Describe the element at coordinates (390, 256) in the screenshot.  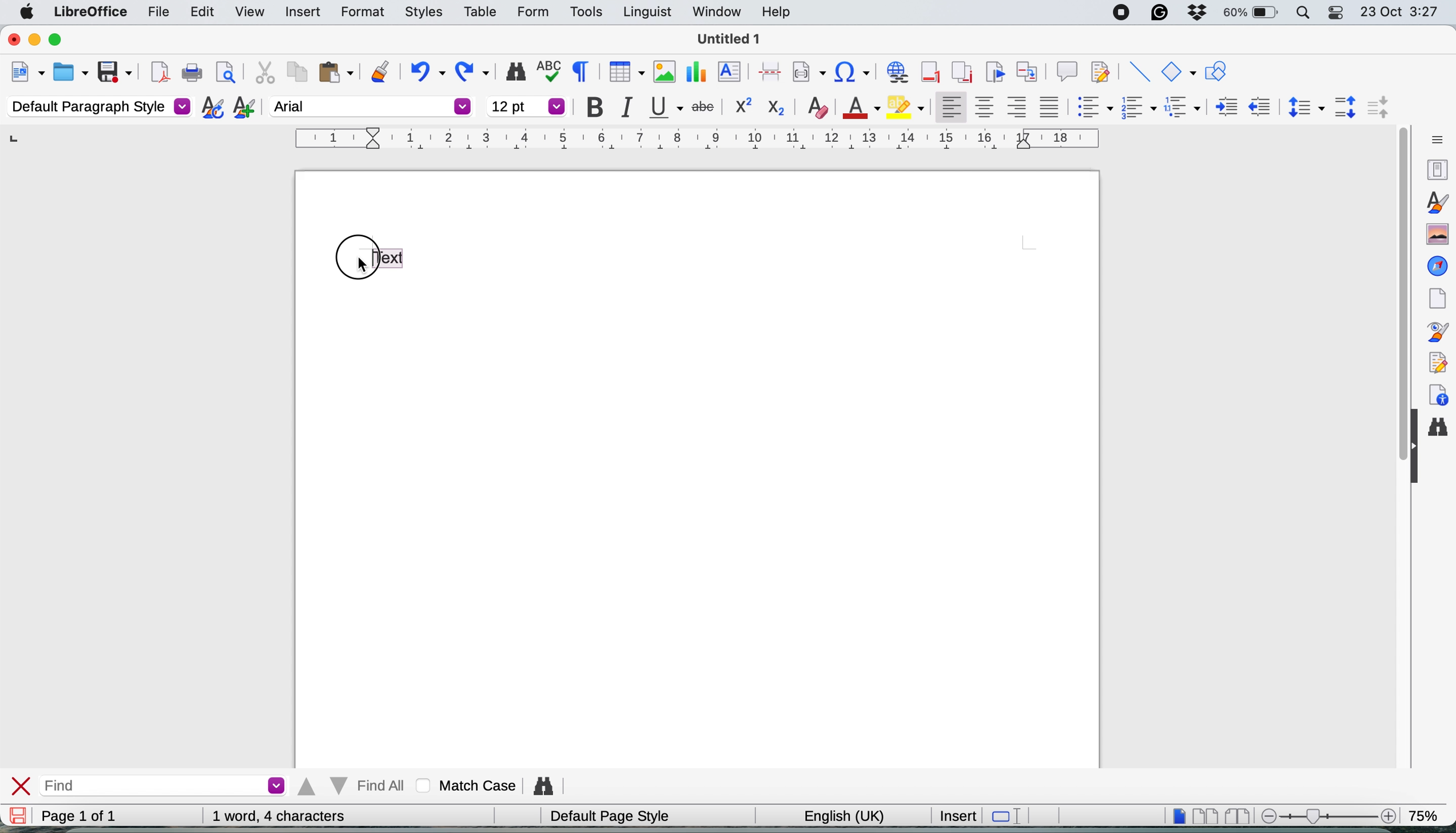
I see `highlight text` at that location.